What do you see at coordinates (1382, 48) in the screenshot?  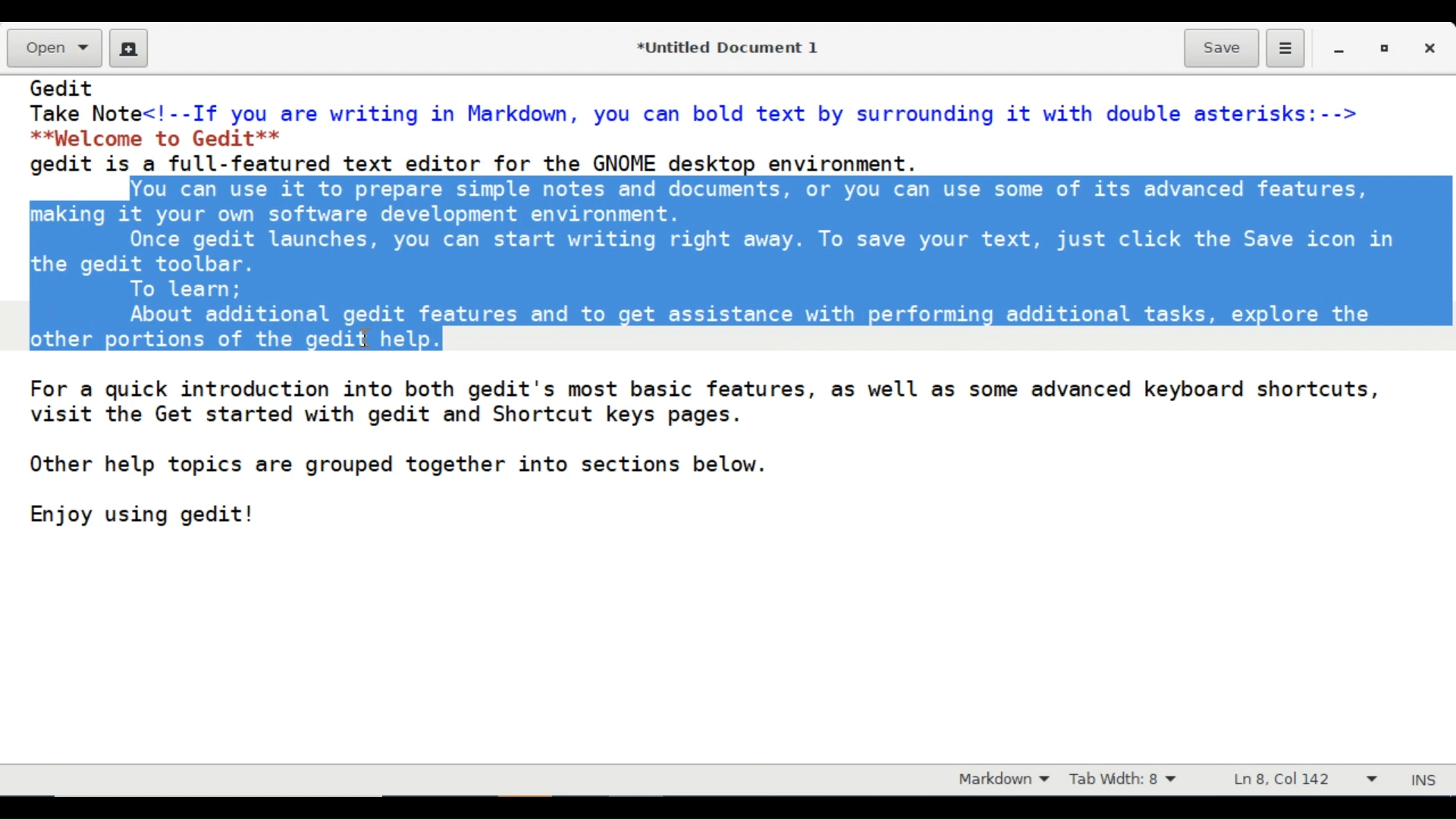 I see `restore` at bounding box center [1382, 48].